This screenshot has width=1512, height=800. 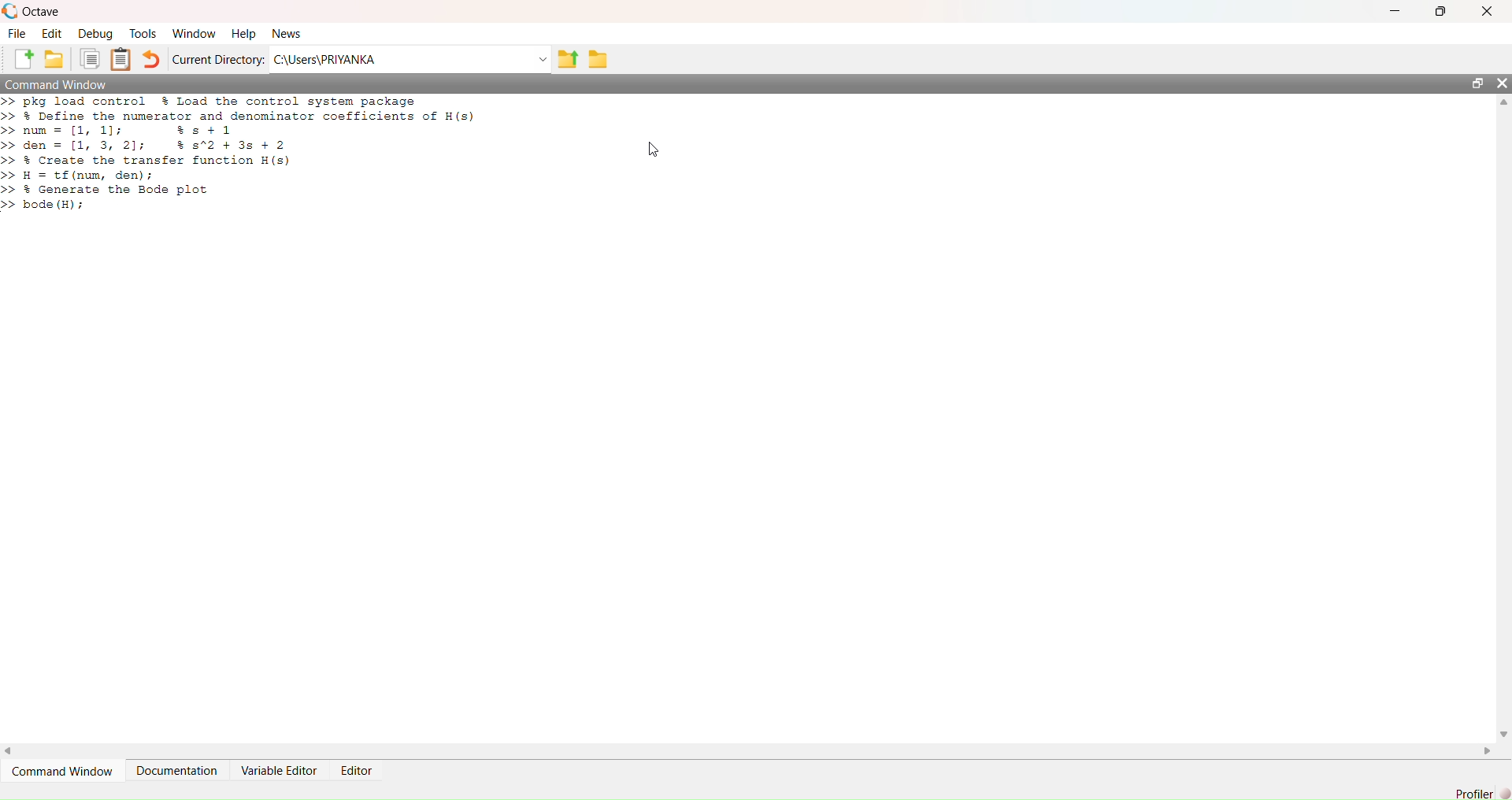 I want to click on close, so click(x=1486, y=10).